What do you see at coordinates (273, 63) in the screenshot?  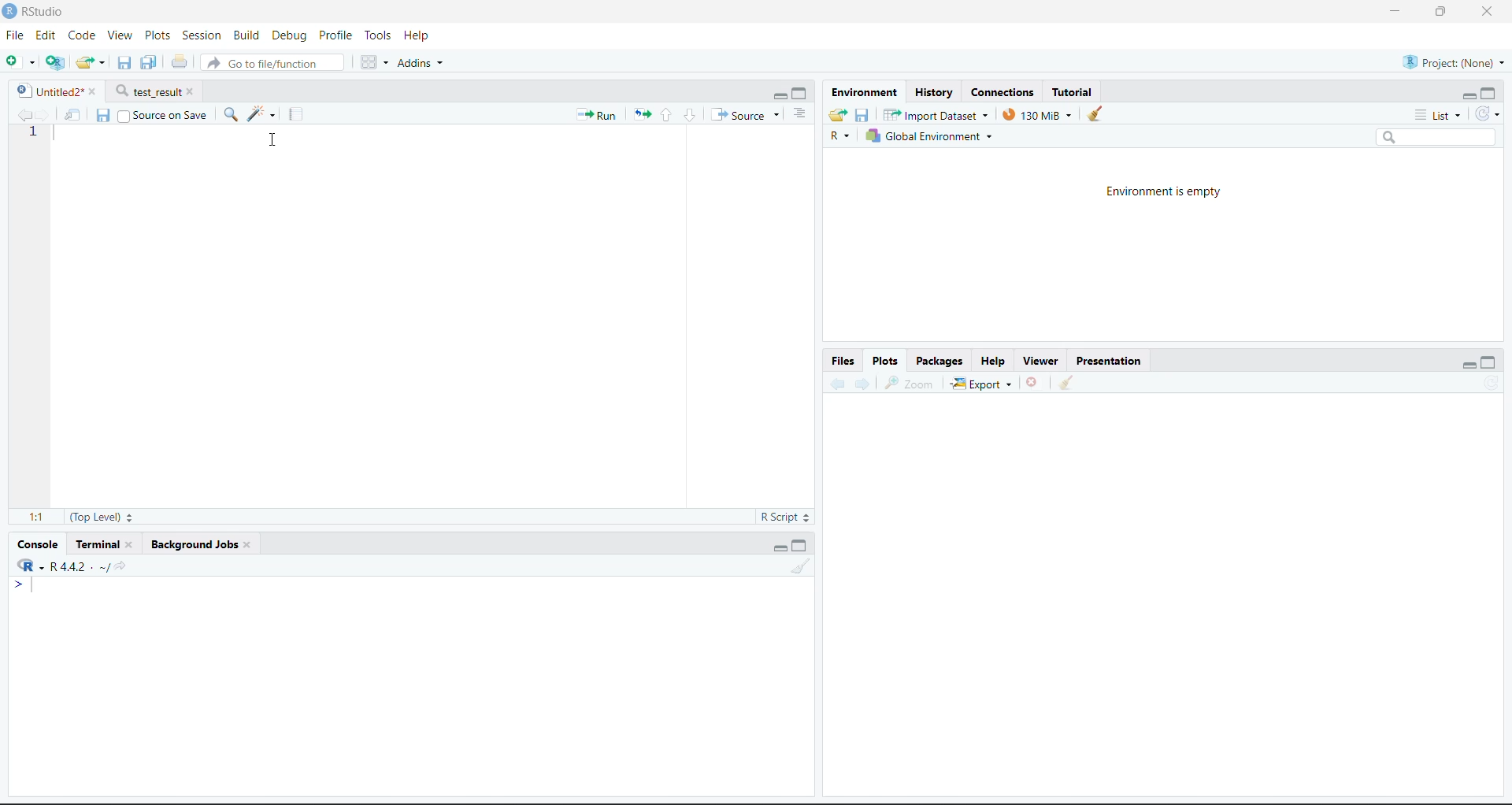 I see `Go to file/function` at bounding box center [273, 63].